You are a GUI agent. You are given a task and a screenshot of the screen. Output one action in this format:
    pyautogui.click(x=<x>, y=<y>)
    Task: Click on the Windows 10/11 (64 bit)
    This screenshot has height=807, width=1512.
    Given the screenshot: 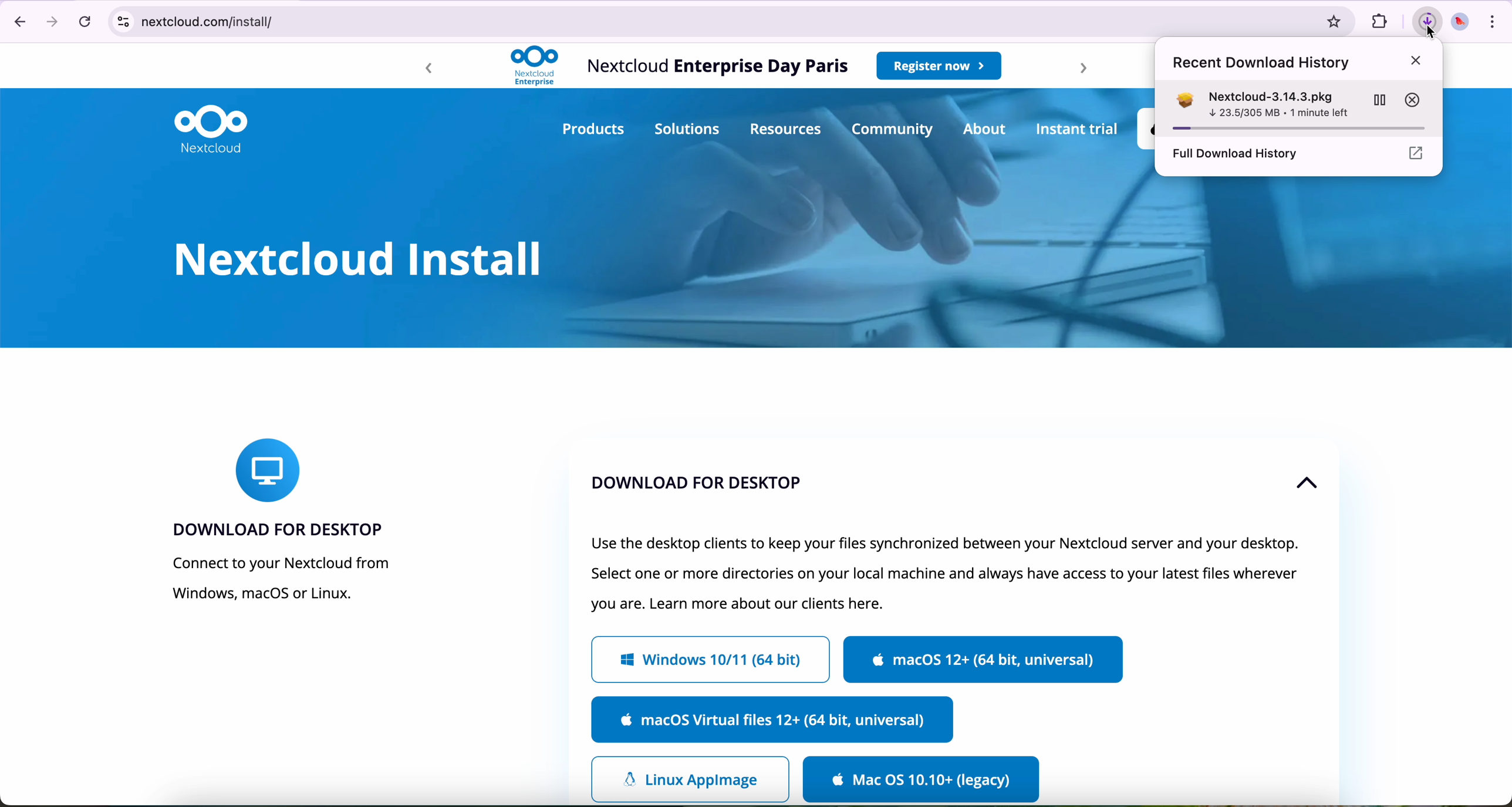 What is the action you would take?
    pyautogui.click(x=710, y=660)
    